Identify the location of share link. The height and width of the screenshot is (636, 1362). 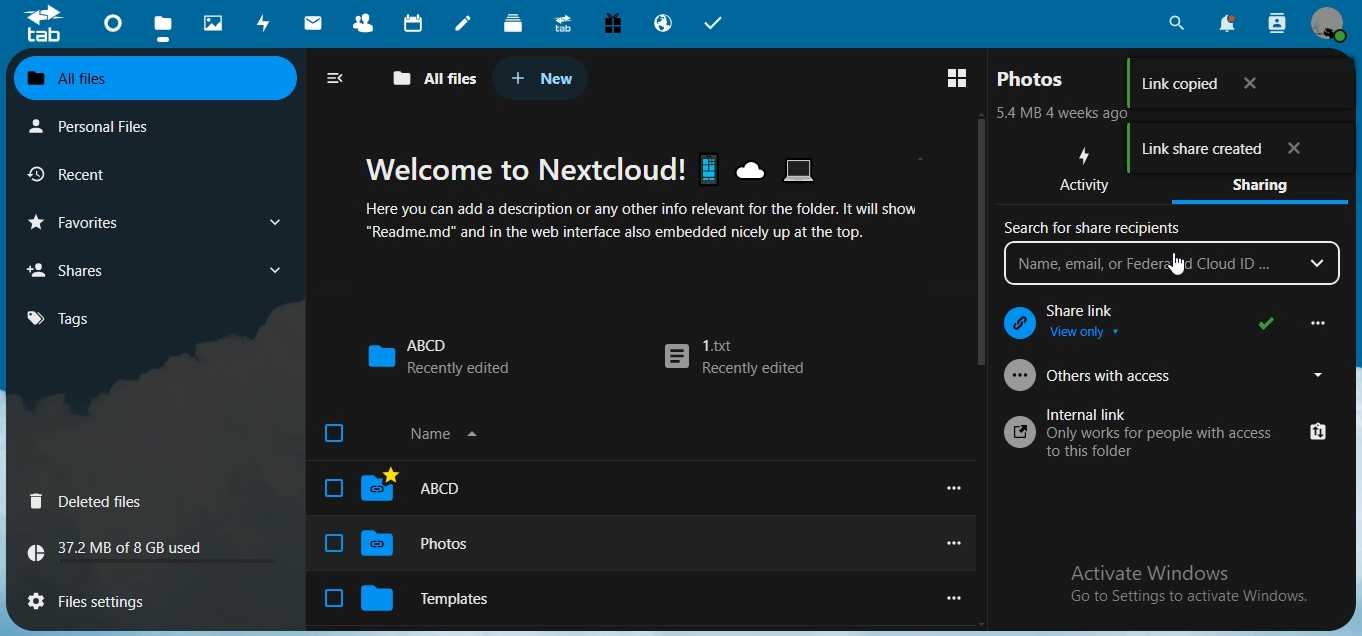
(1143, 316).